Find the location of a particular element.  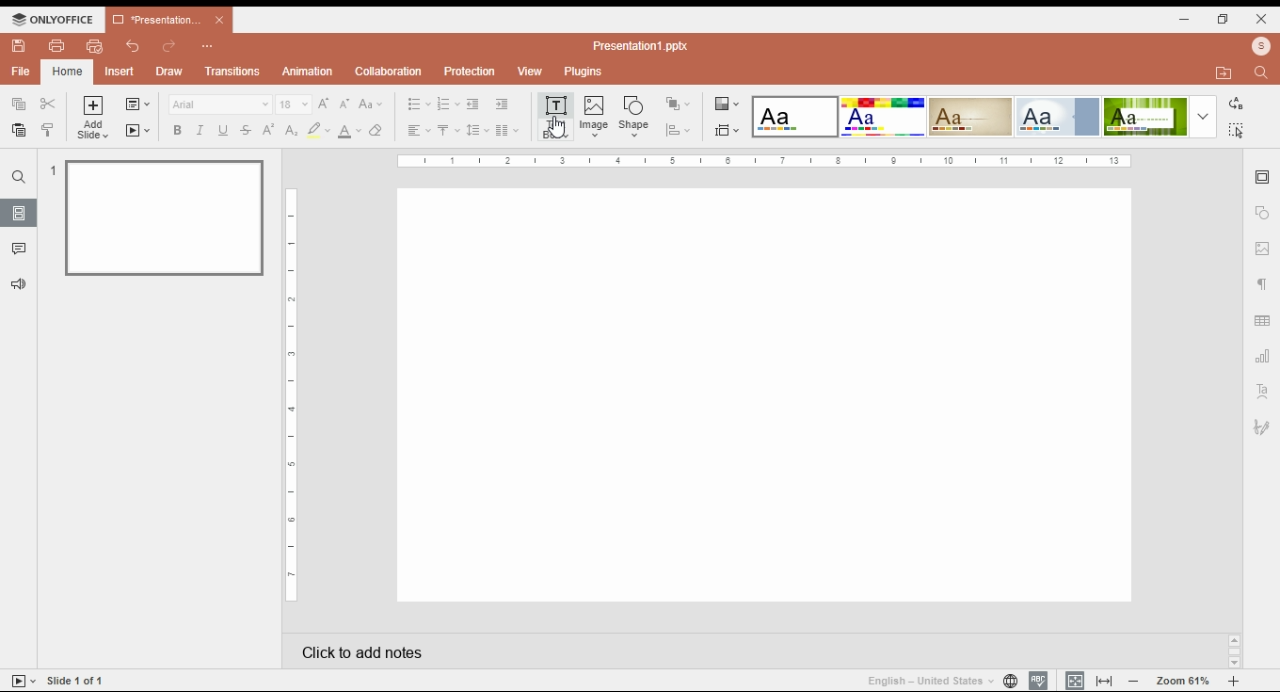

1 is located at coordinates (51, 170).